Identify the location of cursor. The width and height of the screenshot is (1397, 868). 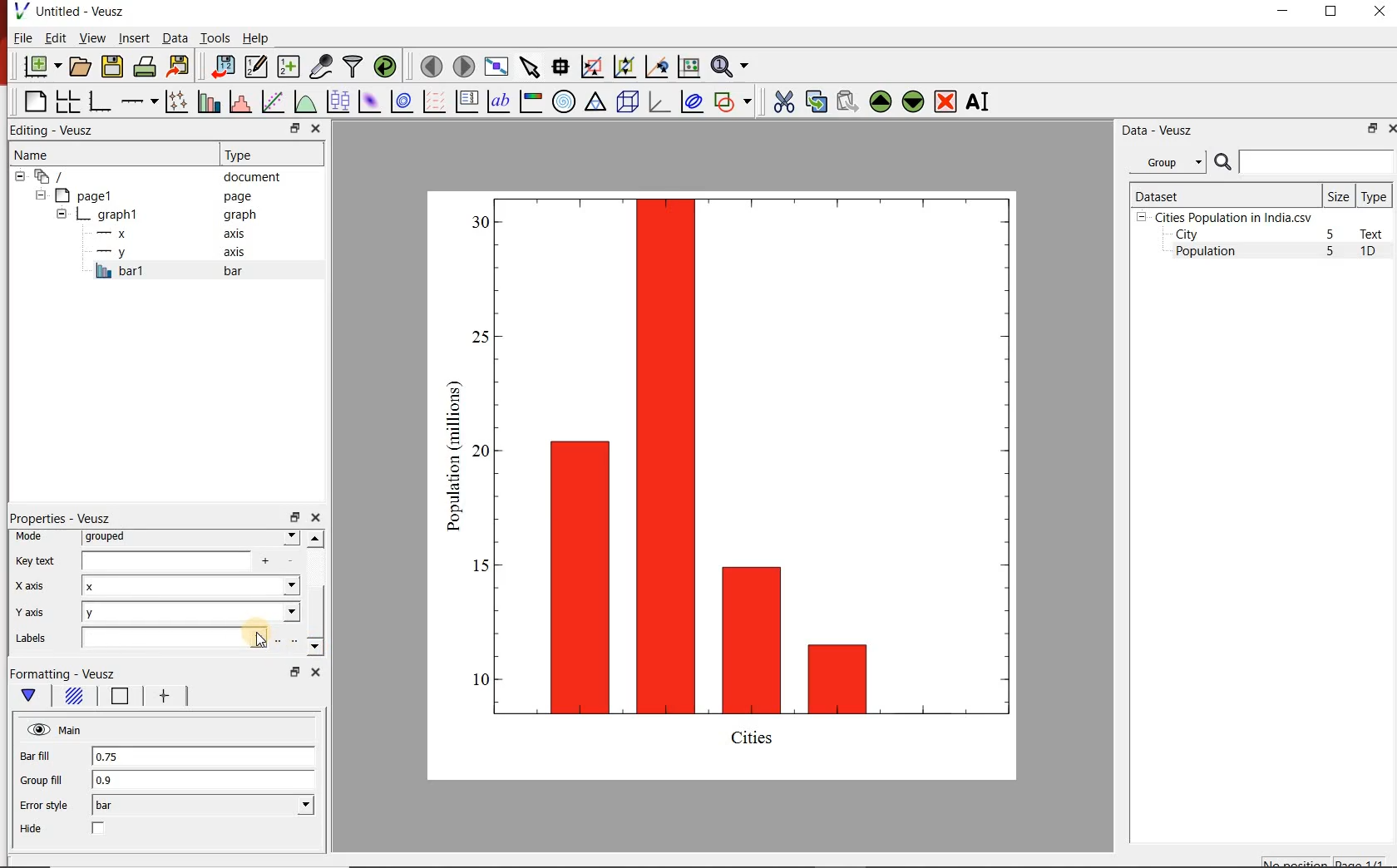
(264, 643).